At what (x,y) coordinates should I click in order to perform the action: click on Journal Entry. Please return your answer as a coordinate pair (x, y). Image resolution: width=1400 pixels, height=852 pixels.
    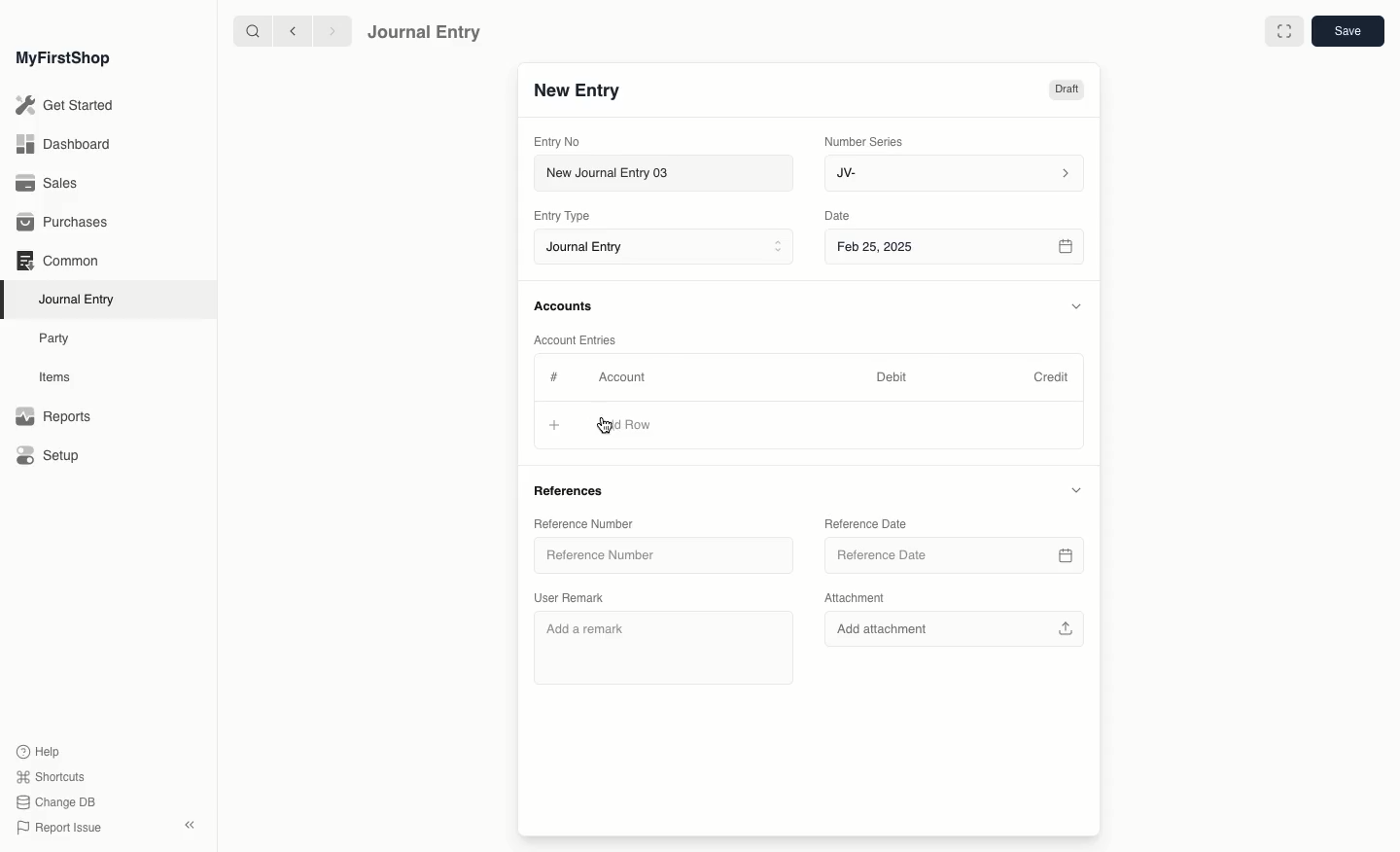
    Looking at the image, I should click on (82, 299).